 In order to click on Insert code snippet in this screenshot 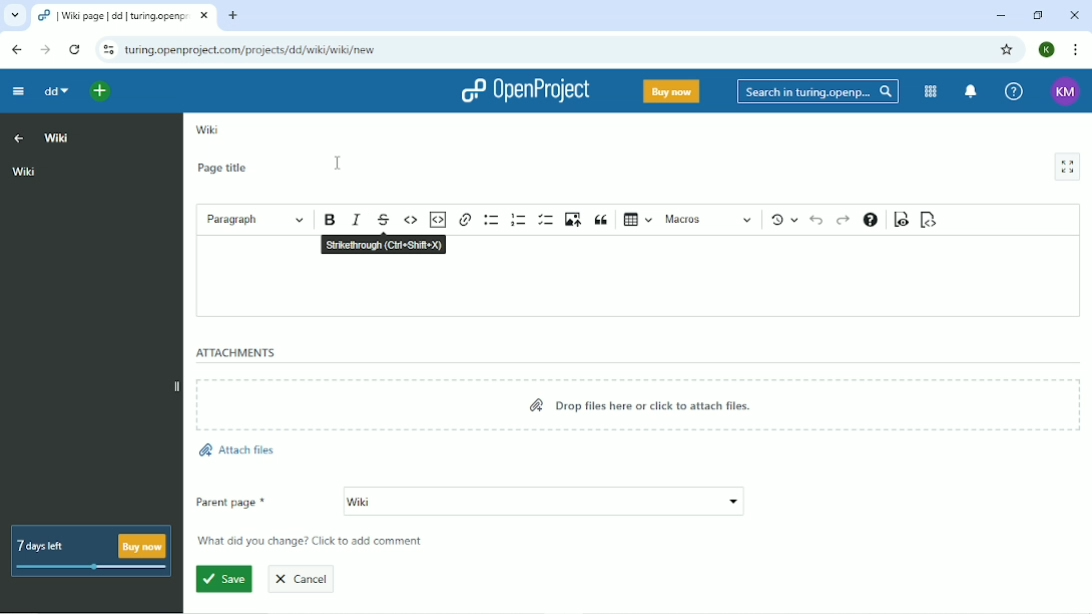, I will do `click(438, 220)`.